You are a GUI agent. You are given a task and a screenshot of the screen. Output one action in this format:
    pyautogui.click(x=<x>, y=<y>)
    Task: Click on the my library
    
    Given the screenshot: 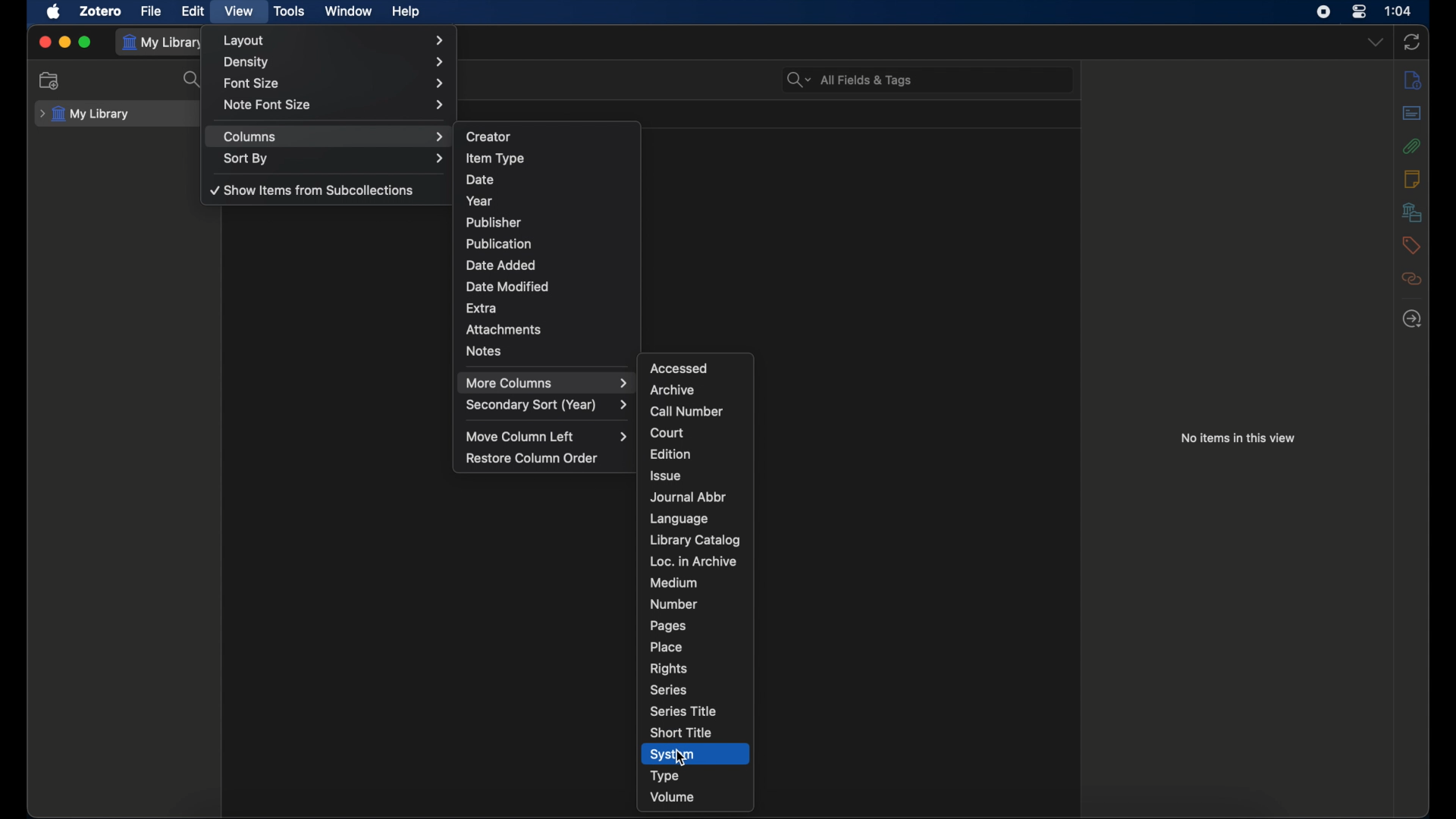 What is the action you would take?
    pyautogui.click(x=165, y=42)
    